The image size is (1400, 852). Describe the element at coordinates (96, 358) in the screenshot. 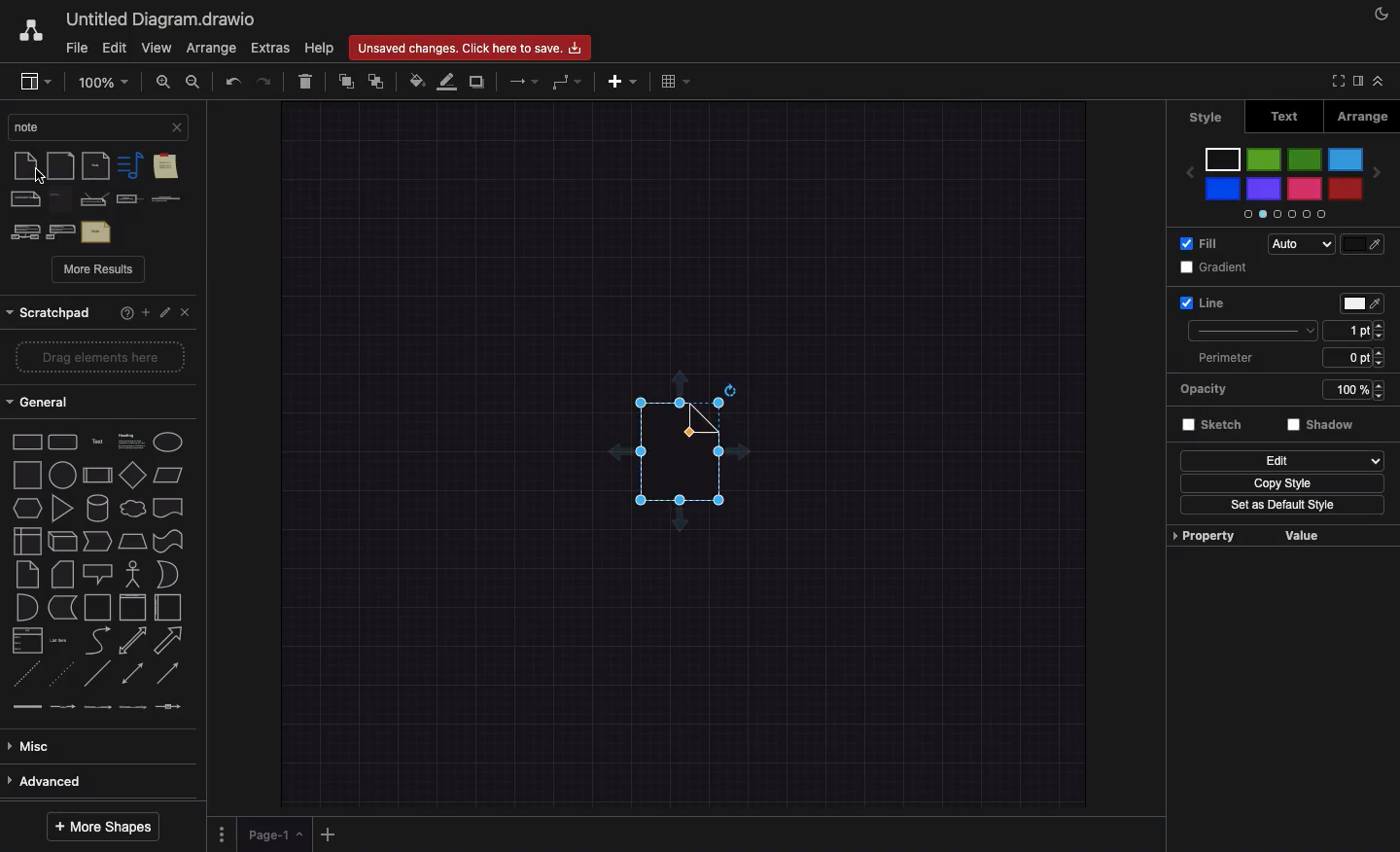

I see `drag elements here` at that location.